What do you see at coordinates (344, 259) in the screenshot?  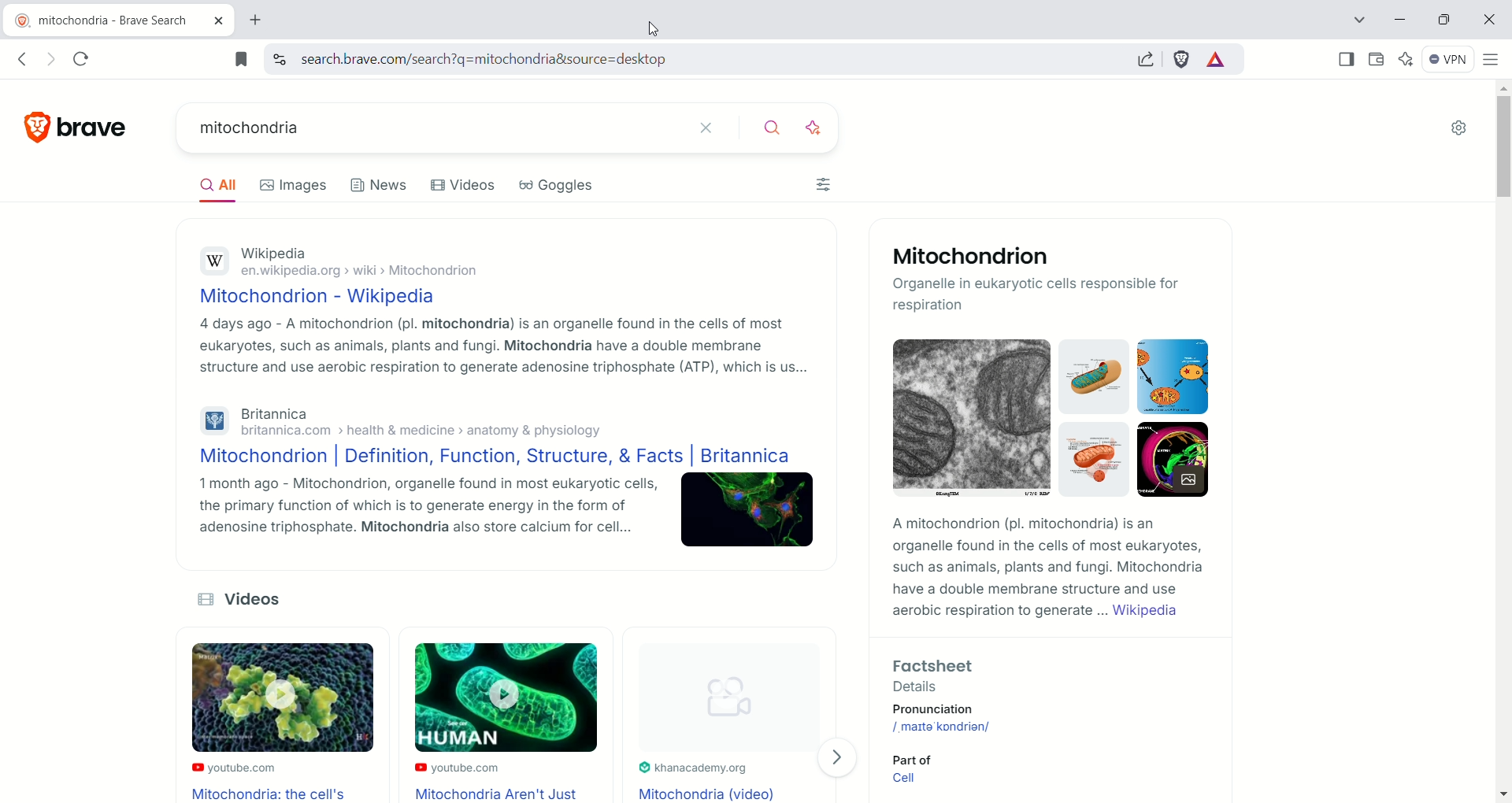 I see ` Wikipediaen.wikipedia.org > wiki > Mitochondrion` at bounding box center [344, 259].